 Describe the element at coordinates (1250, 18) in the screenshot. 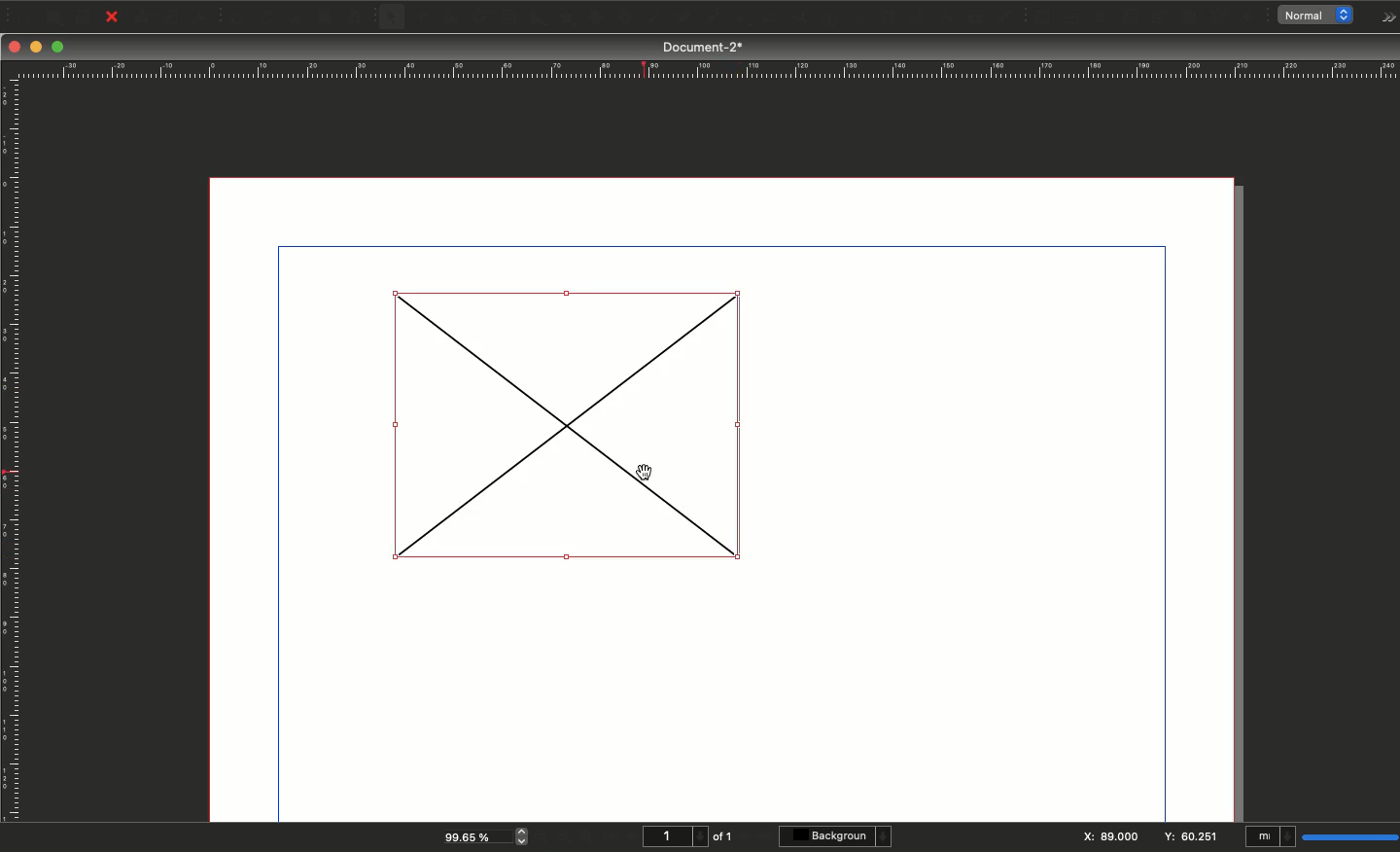

I see `Link annotation` at that location.